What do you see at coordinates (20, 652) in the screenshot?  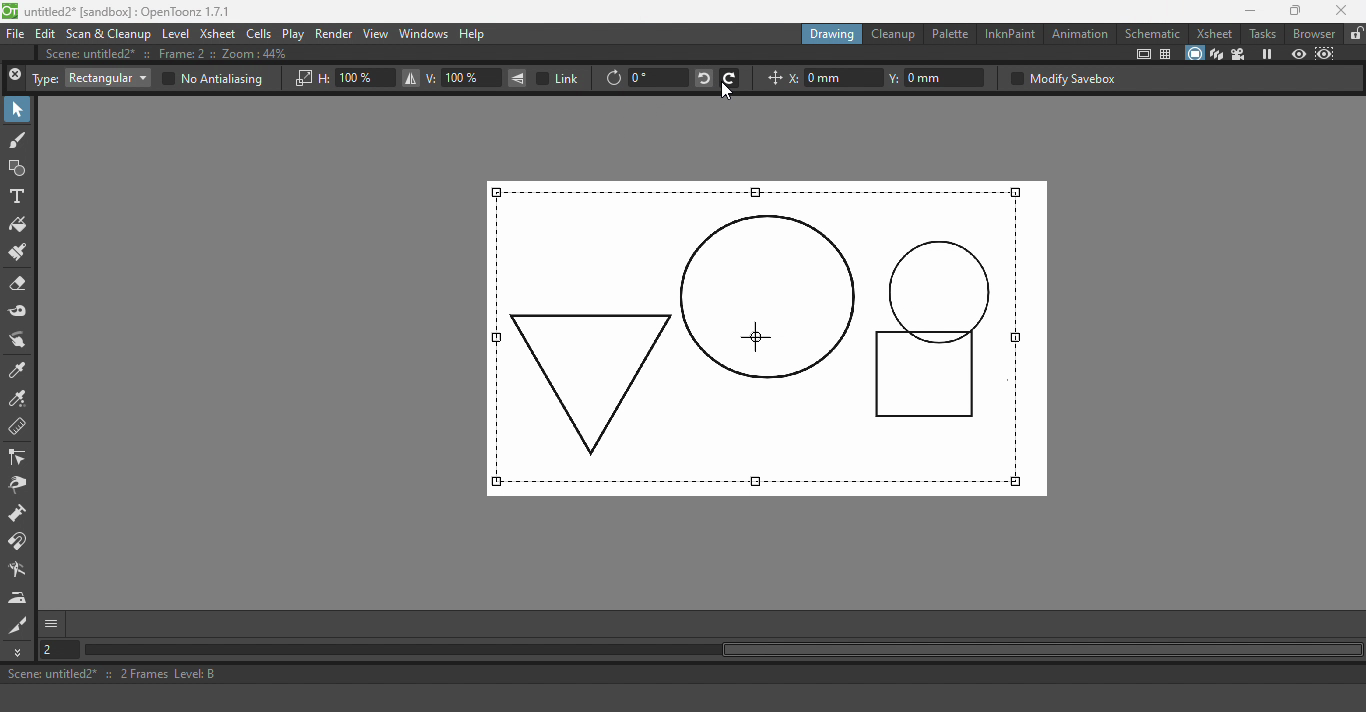 I see `More tools` at bounding box center [20, 652].